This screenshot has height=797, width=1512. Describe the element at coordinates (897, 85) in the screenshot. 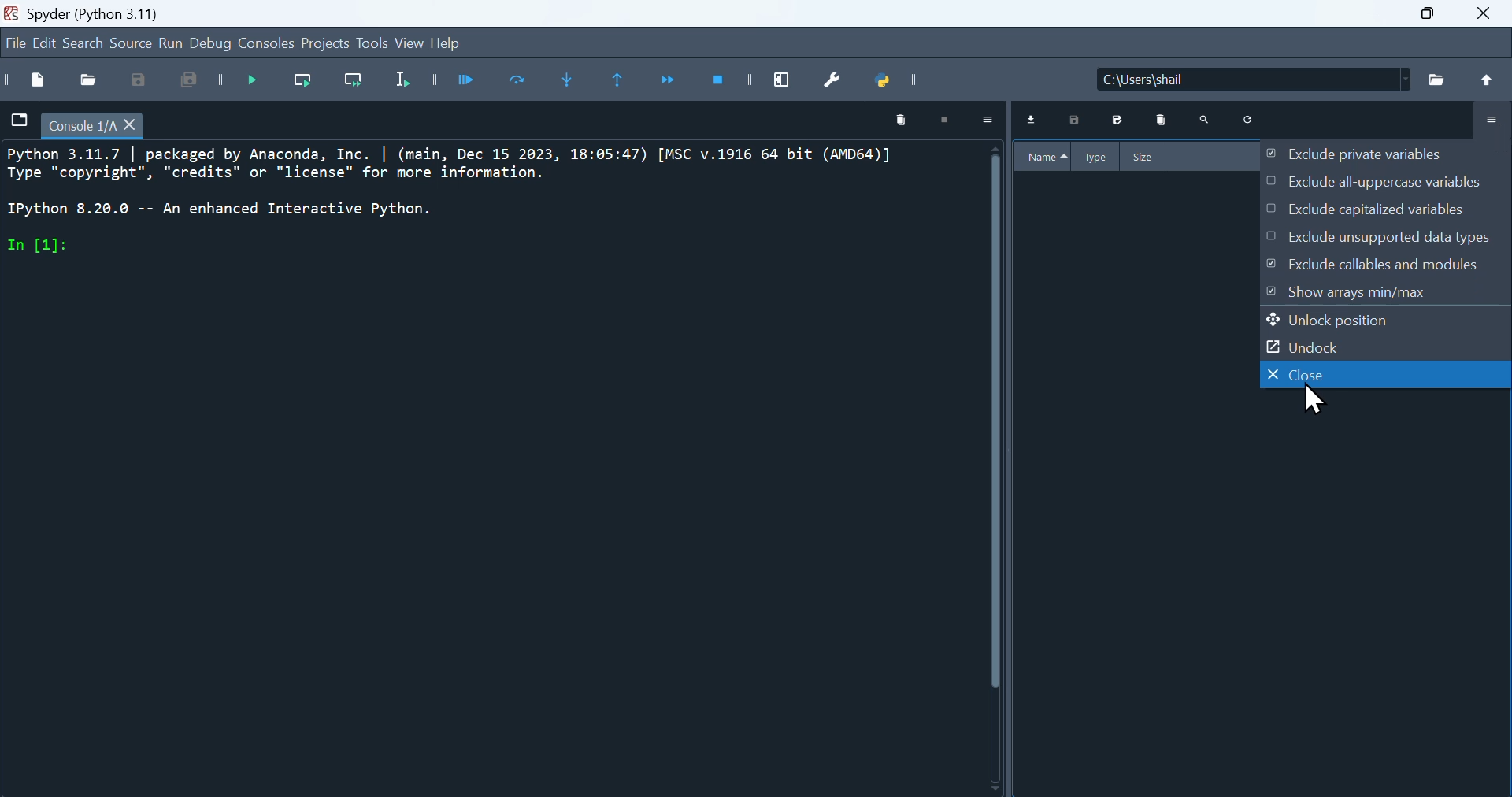

I see `Python path manager` at that location.